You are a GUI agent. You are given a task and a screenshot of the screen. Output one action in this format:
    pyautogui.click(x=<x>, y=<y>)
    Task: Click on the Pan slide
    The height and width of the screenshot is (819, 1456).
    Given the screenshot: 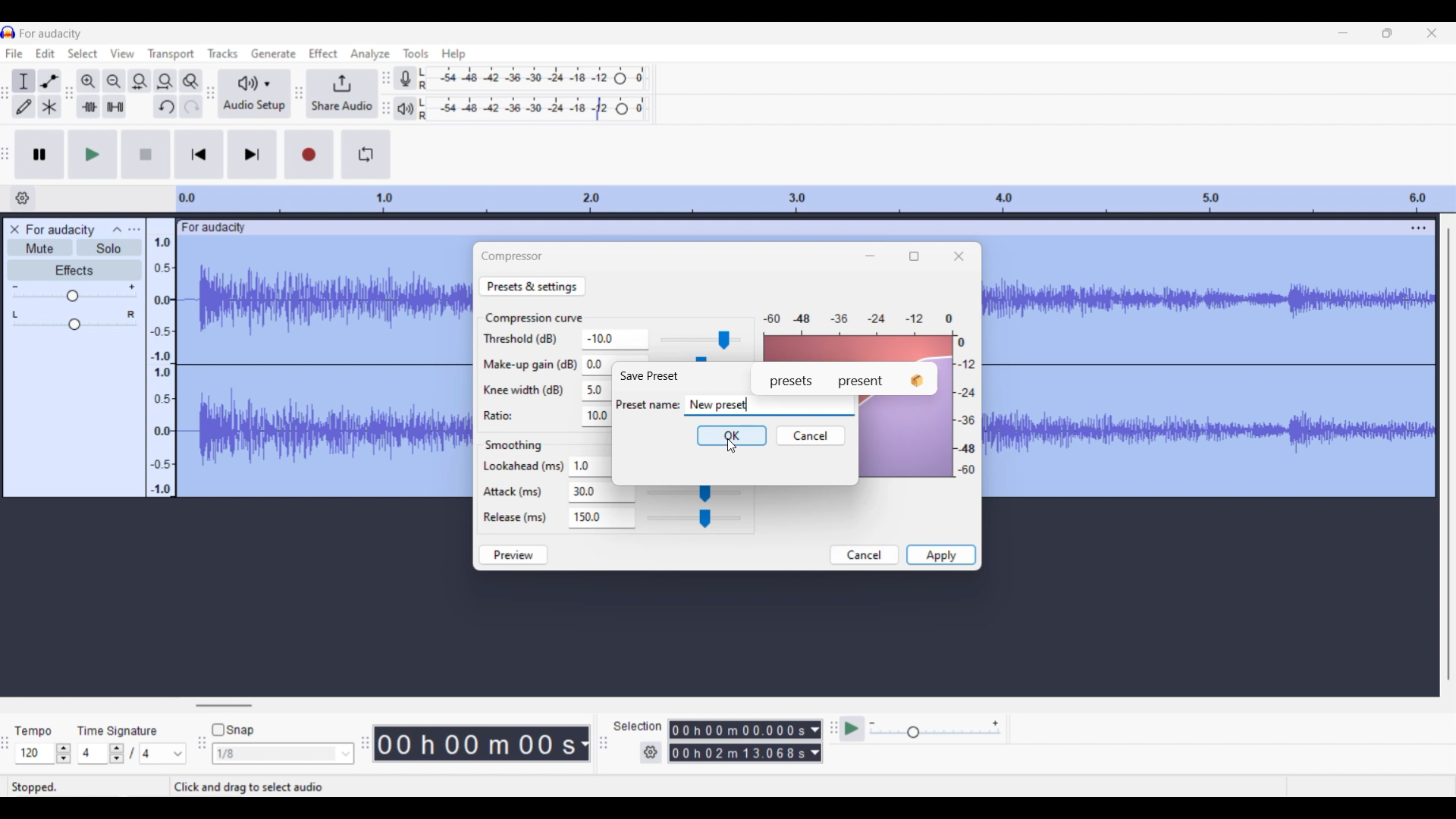 What is the action you would take?
    pyautogui.click(x=74, y=320)
    